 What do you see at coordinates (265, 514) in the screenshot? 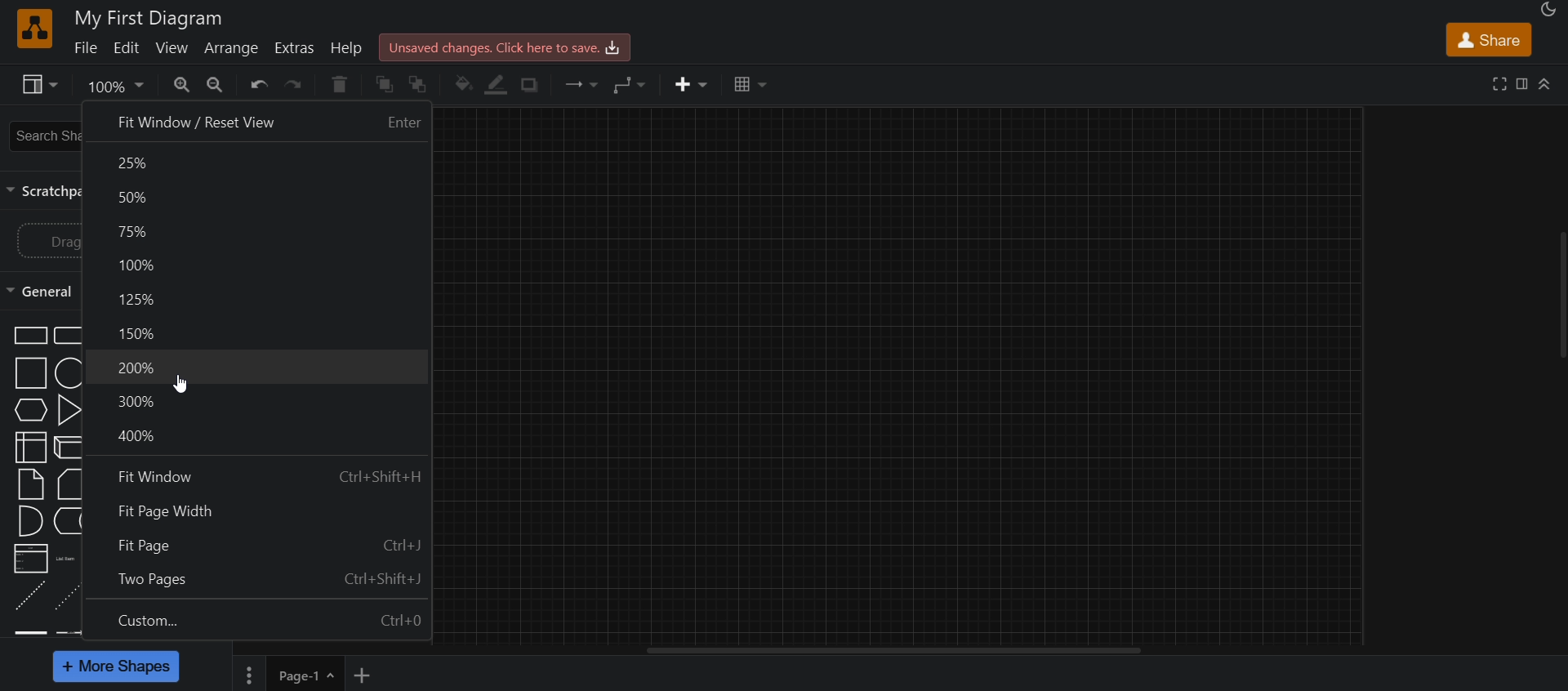
I see `fit page width` at bounding box center [265, 514].